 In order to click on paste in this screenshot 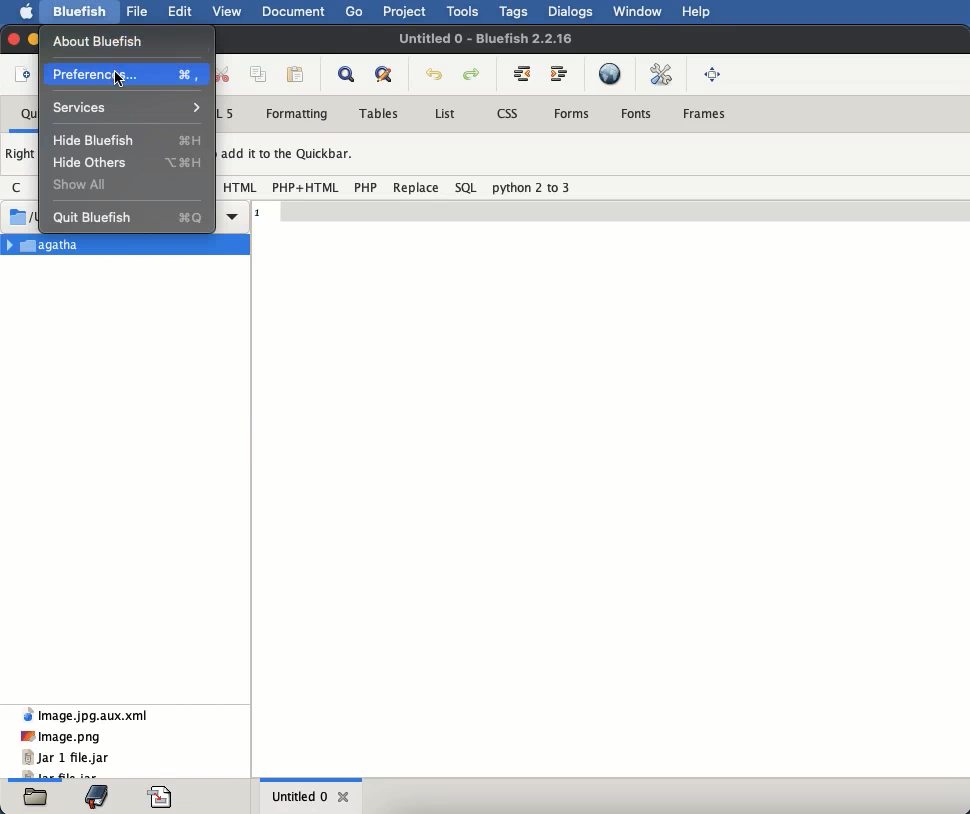, I will do `click(296, 76)`.